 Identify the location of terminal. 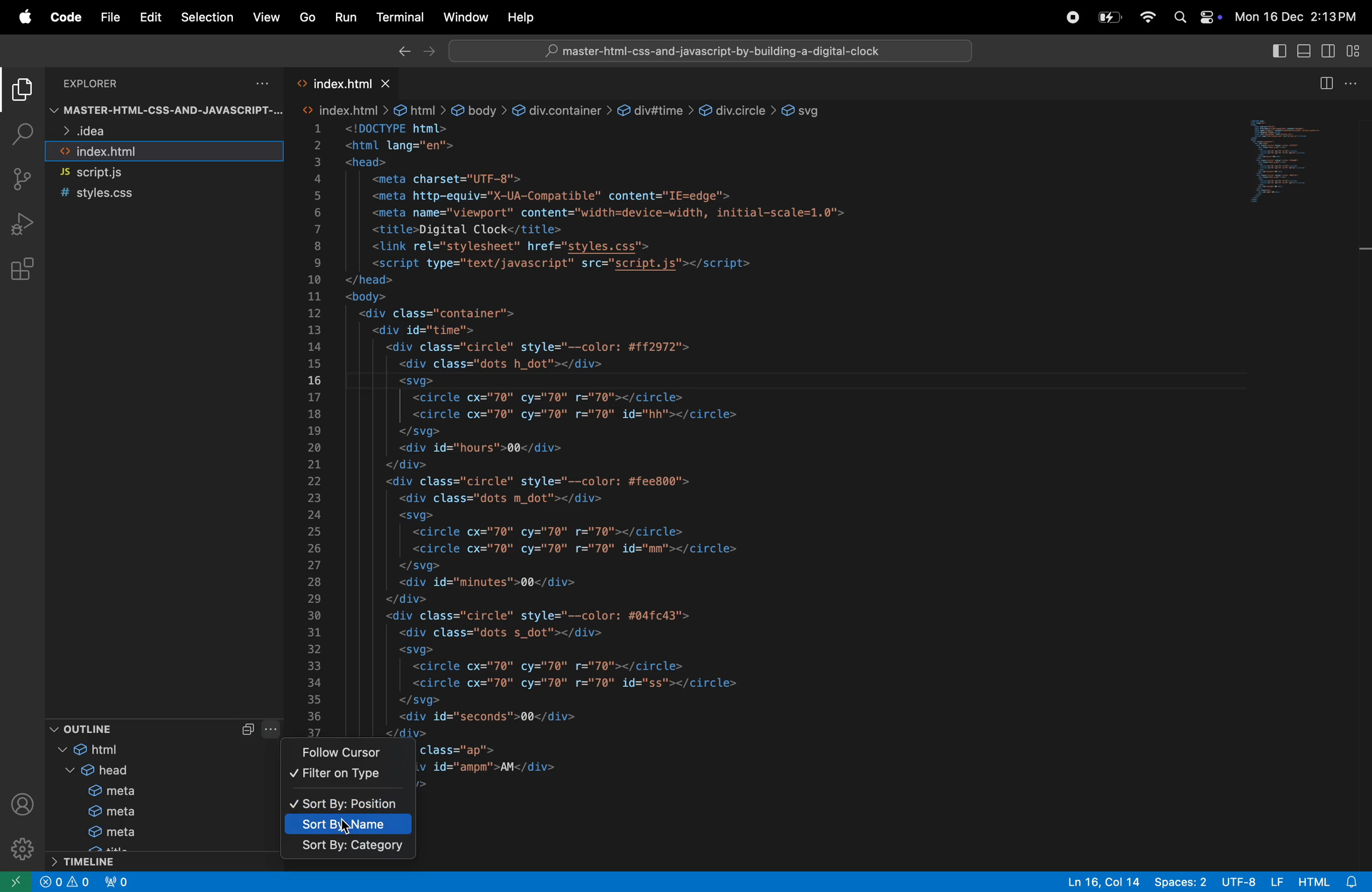
(400, 20).